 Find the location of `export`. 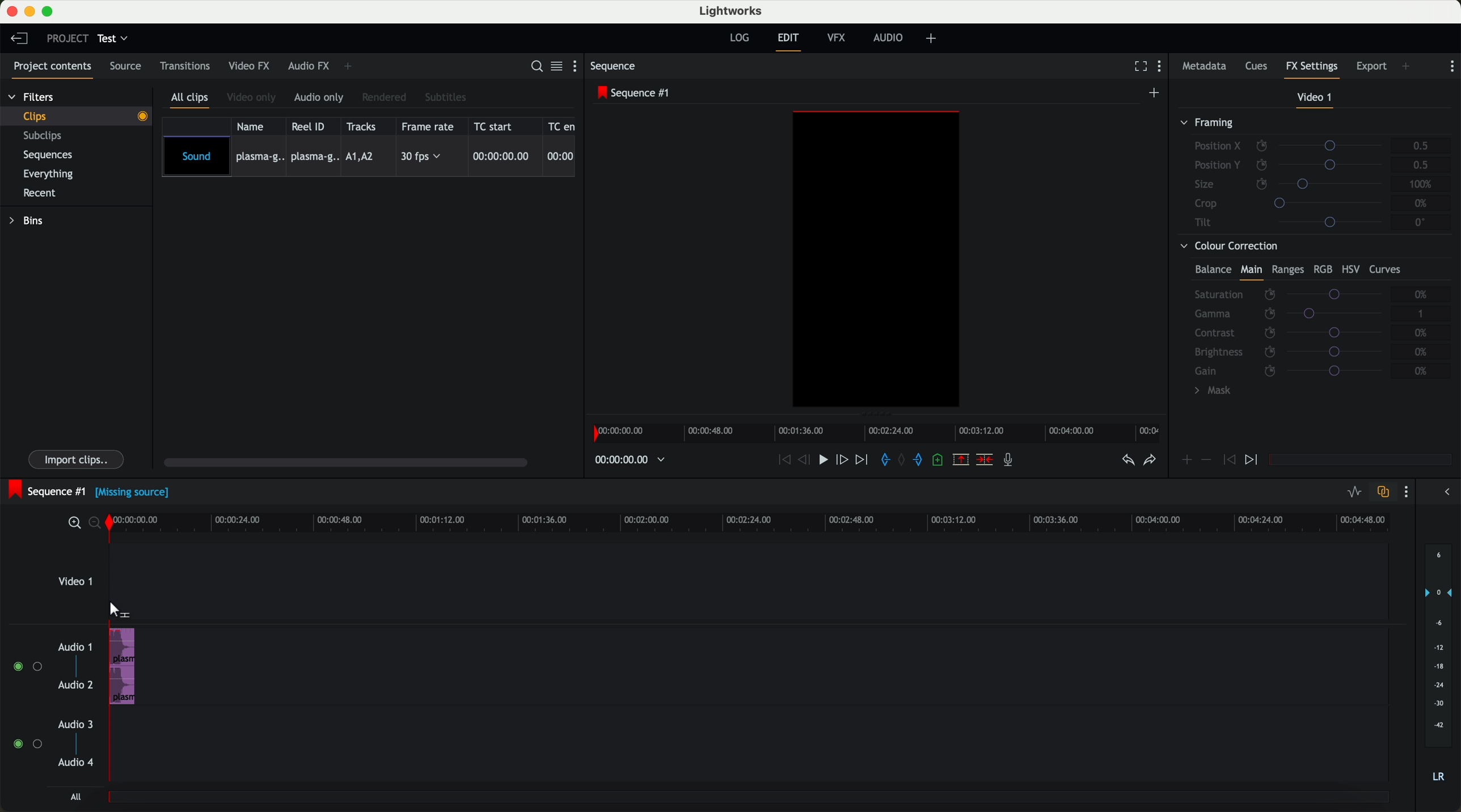

export is located at coordinates (1370, 65).